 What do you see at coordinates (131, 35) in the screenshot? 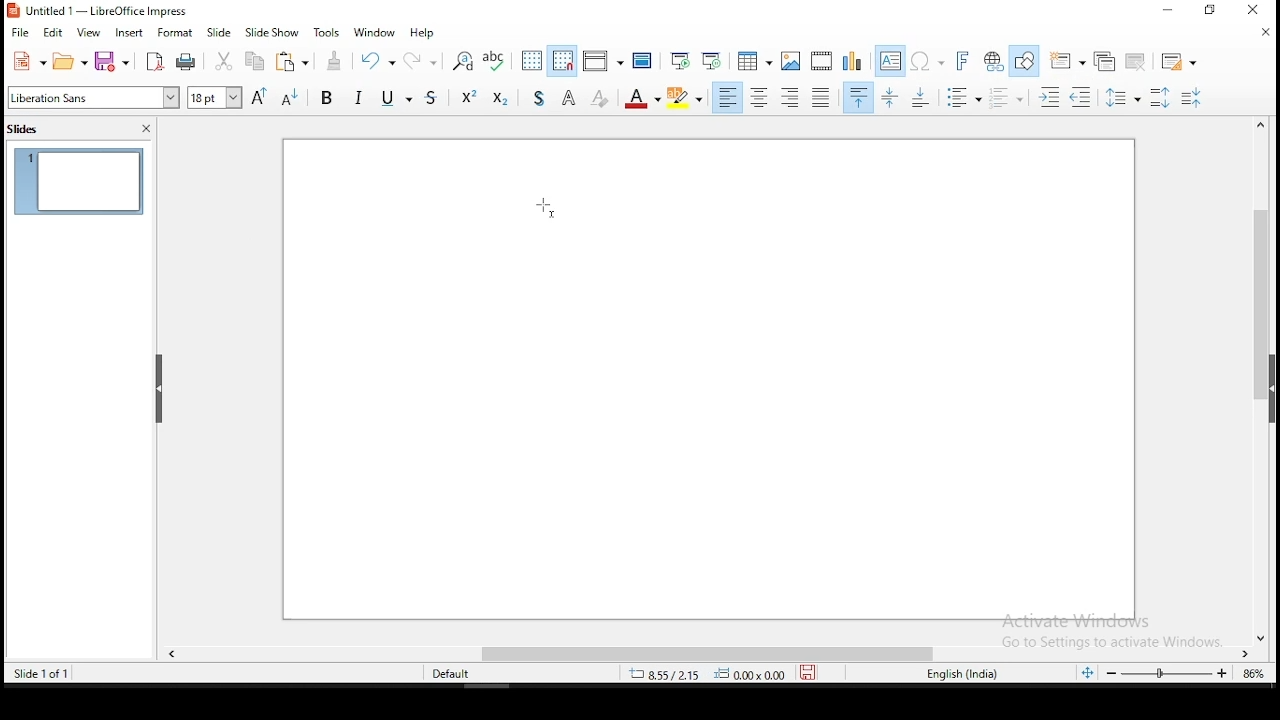
I see `insert` at bounding box center [131, 35].